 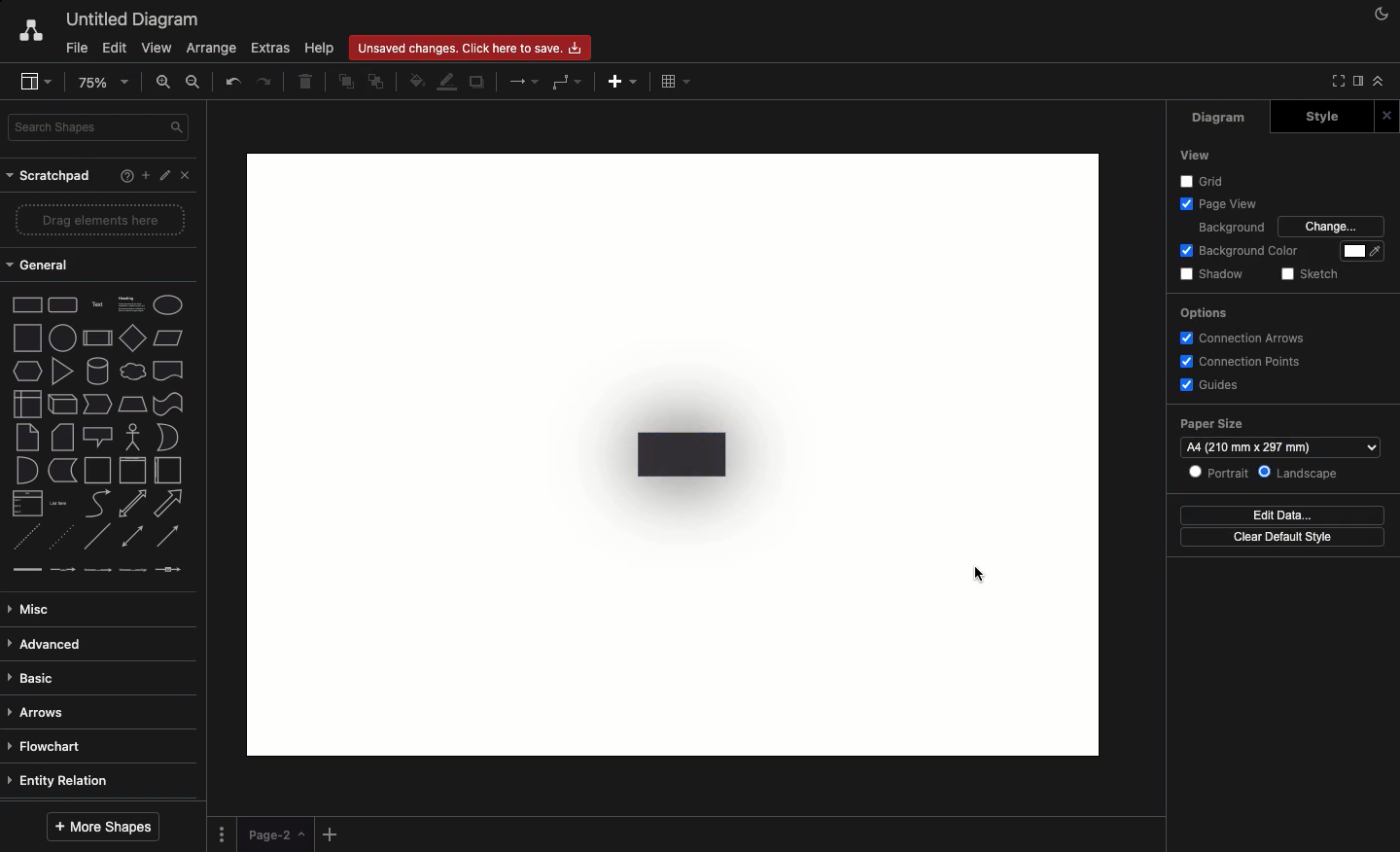 What do you see at coordinates (162, 175) in the screenshot?
I see `Edit` at bounding box center [162, 175].